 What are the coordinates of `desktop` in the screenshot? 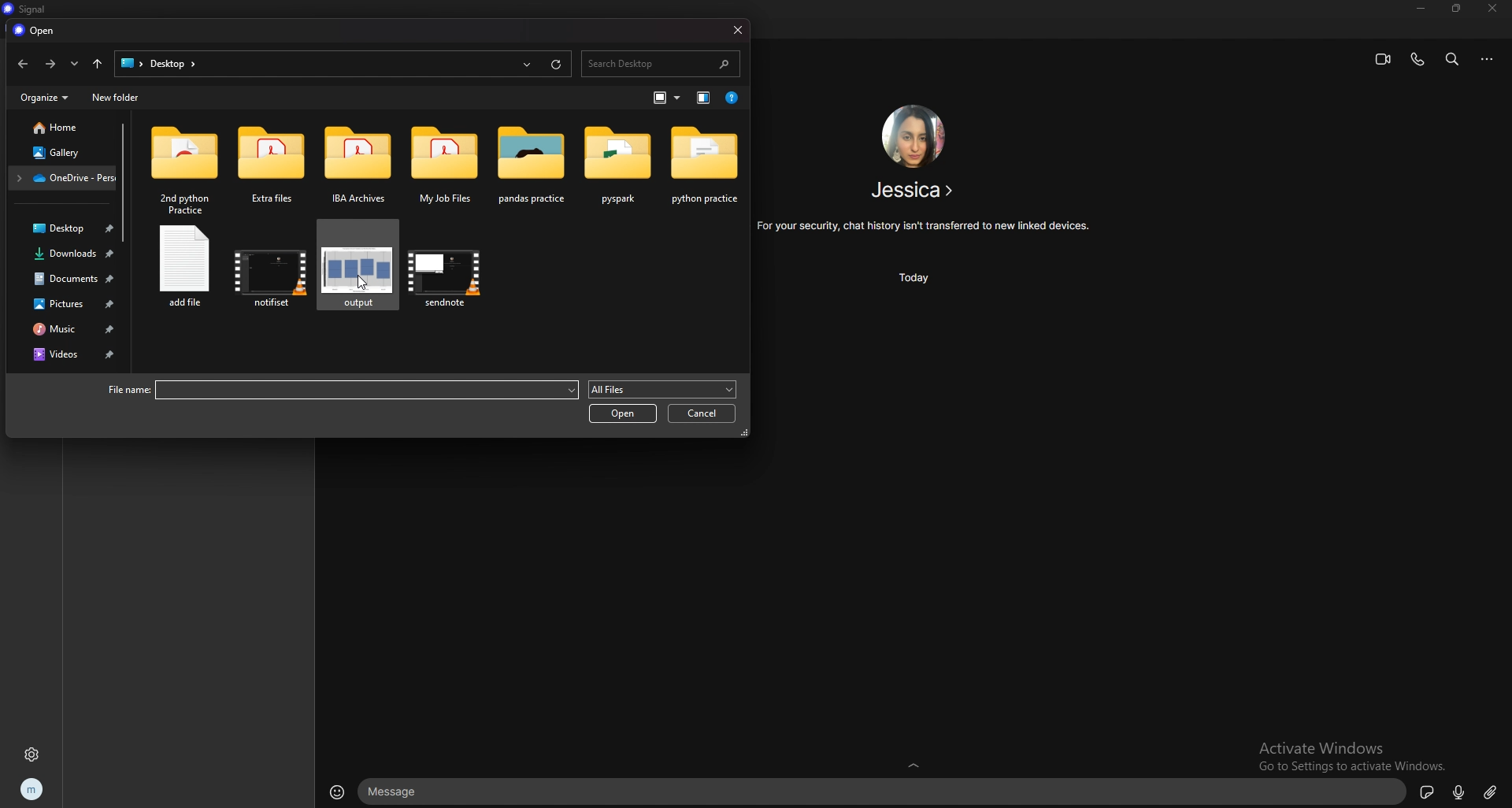 It's located at (161, 65).